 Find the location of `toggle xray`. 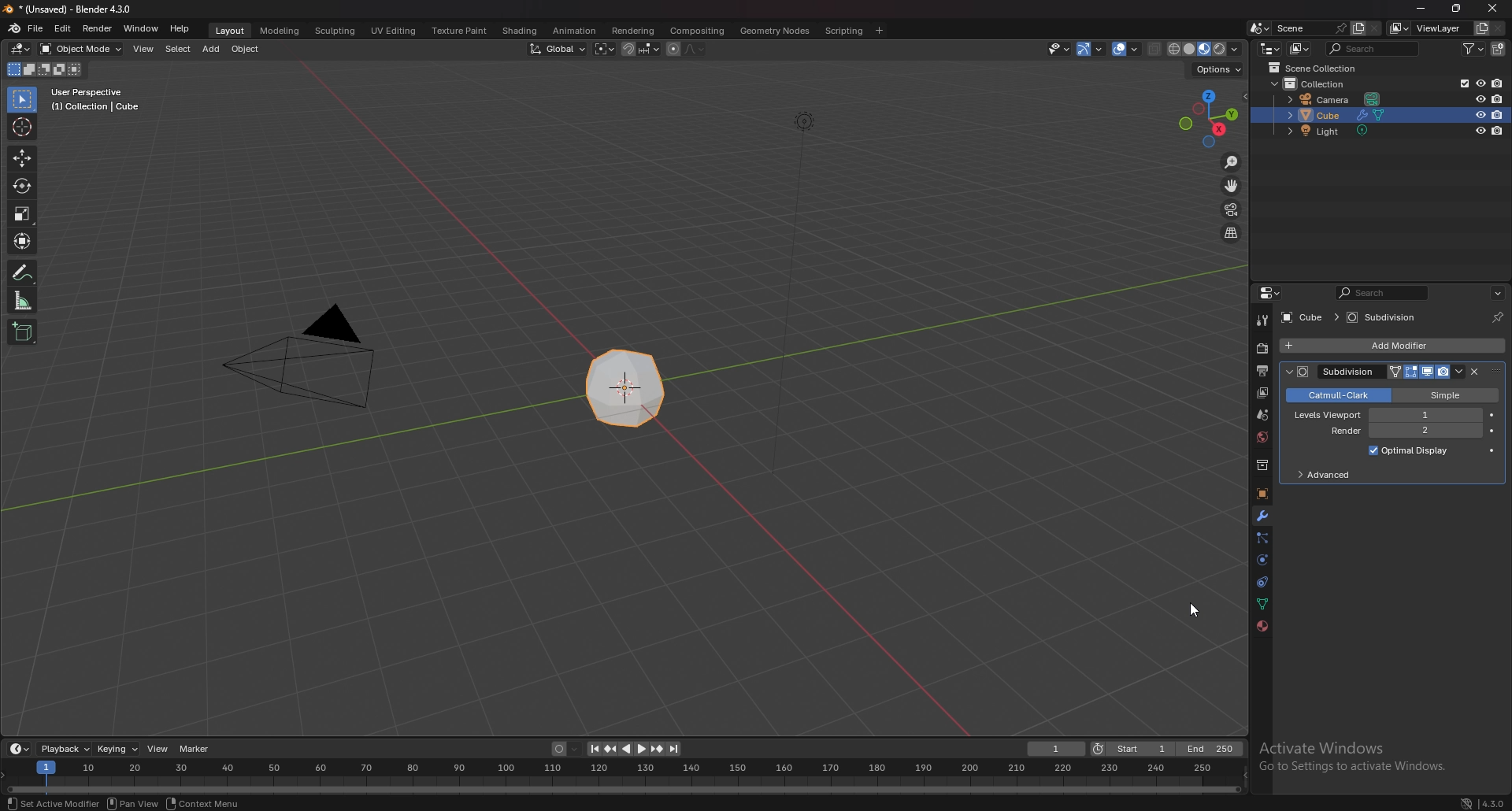

toggle xray is located at coordinates (1156, 49).